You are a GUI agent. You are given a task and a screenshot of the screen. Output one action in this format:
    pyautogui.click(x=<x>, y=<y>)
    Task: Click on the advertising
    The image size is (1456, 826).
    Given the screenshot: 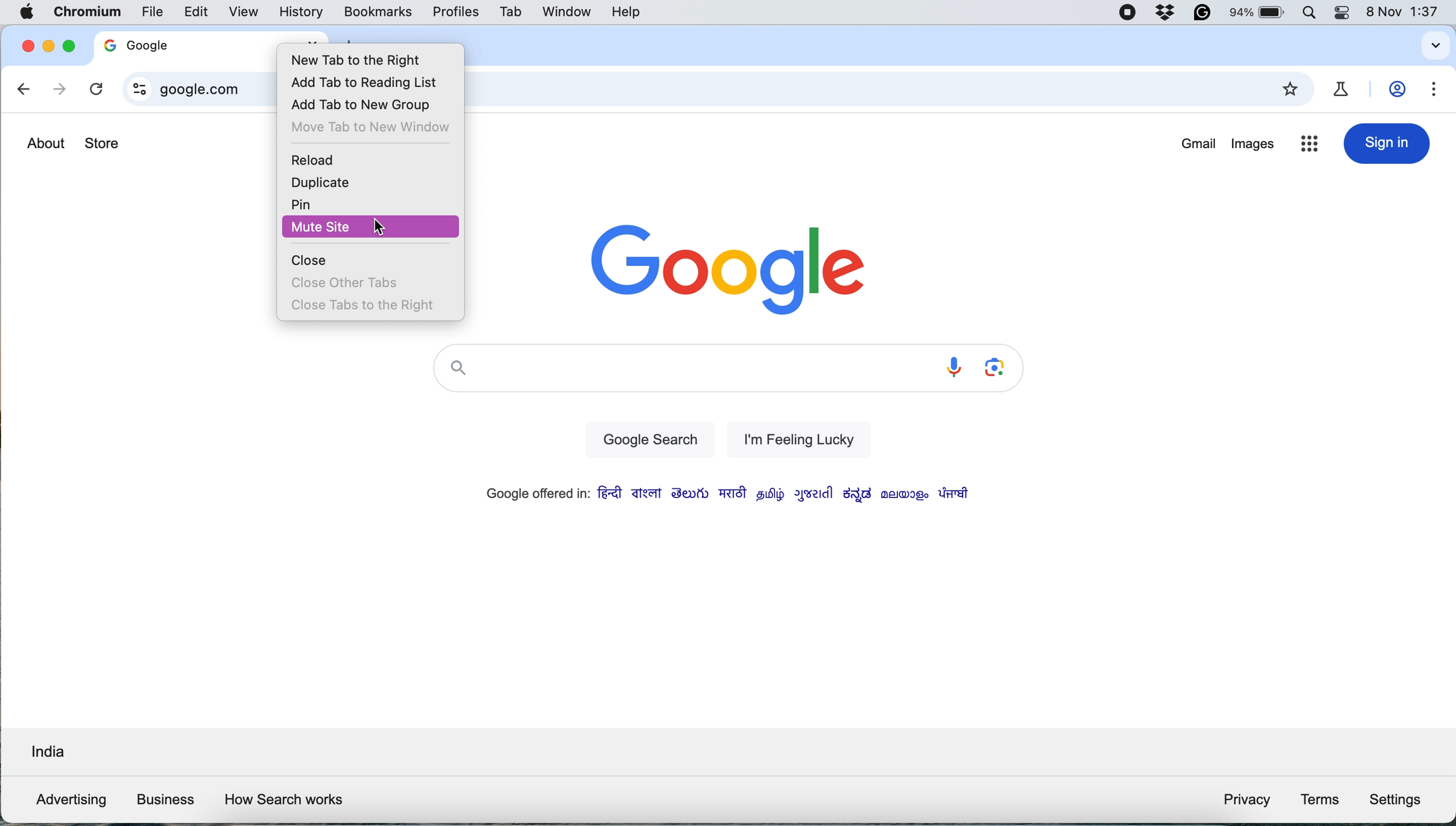 What is the action you would take?
    pyautogui.click(x=67, y=800)
    